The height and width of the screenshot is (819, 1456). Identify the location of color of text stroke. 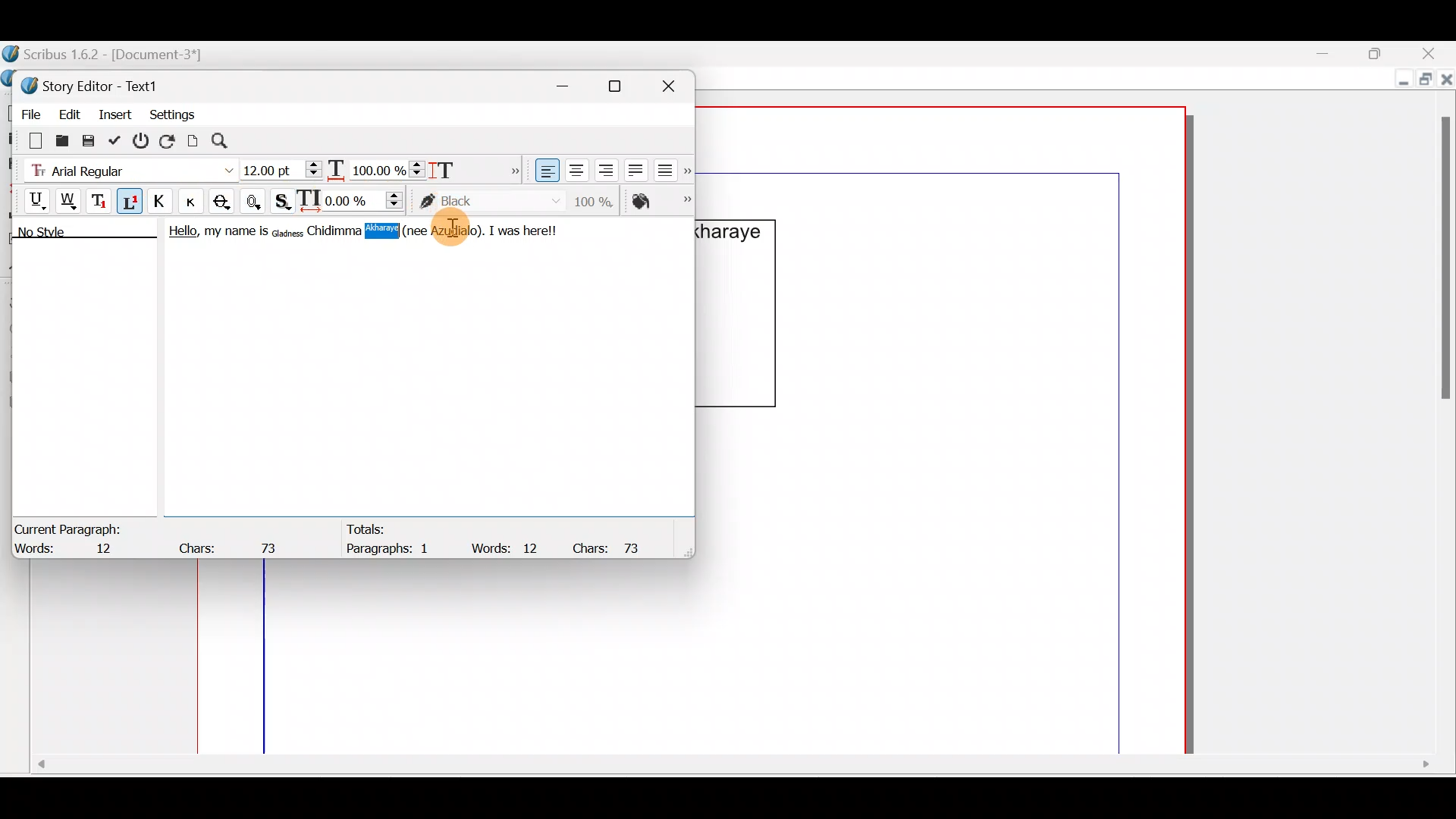
(490, 202).